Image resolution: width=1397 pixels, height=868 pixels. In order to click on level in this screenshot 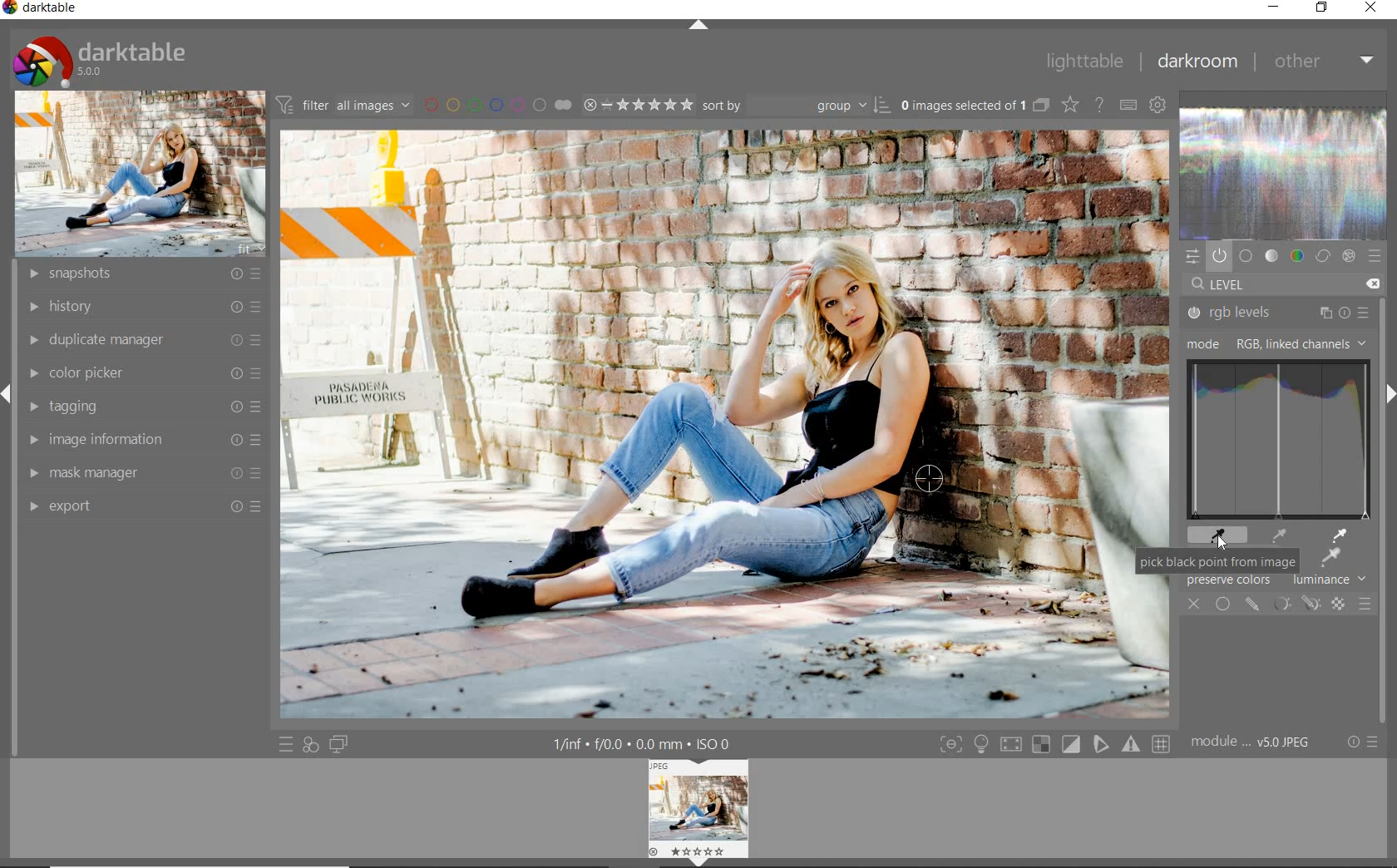, I will do `click(1227, 284)`.